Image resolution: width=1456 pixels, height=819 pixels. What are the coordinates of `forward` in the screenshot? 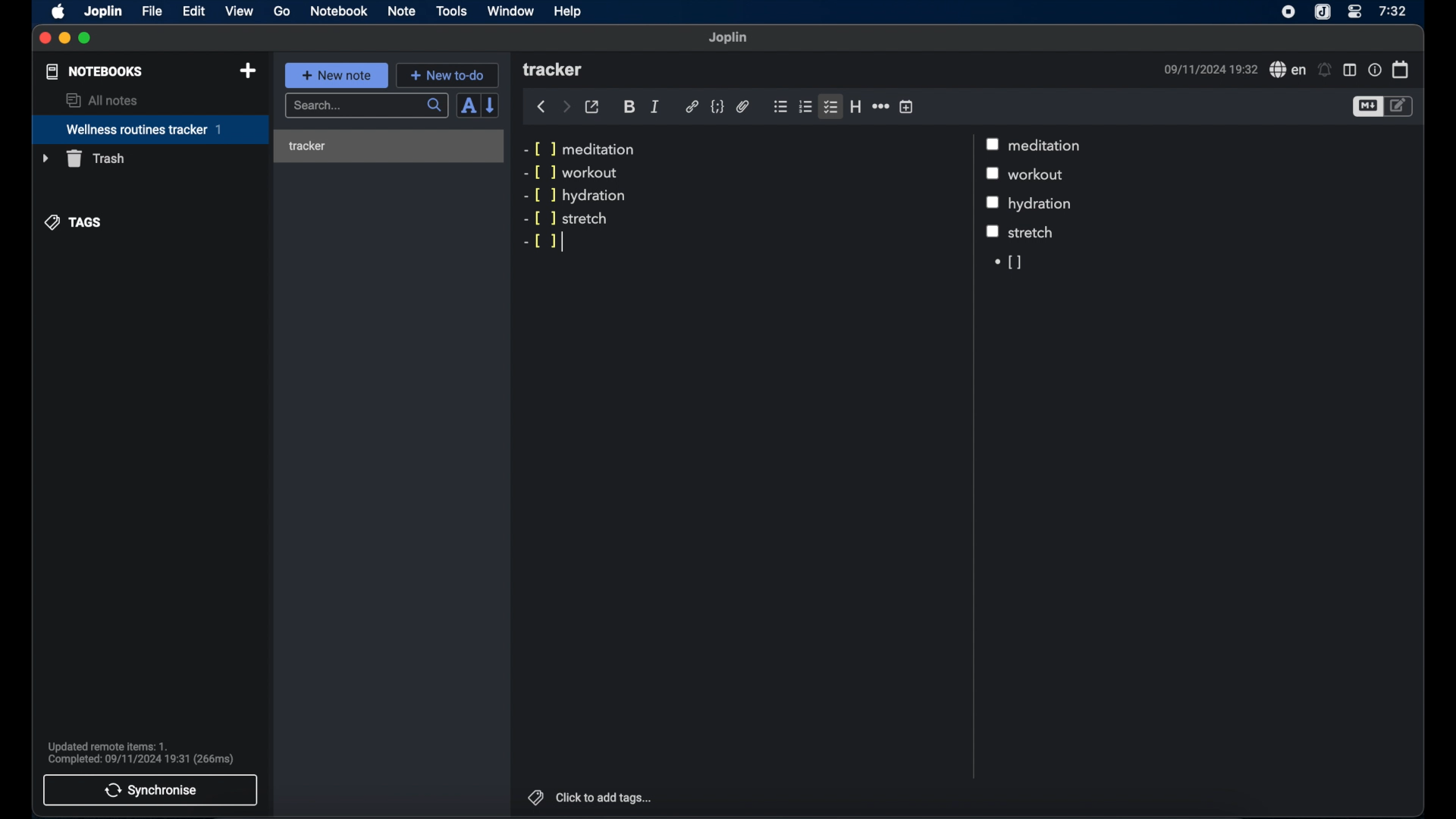 It's located at (566, 106).